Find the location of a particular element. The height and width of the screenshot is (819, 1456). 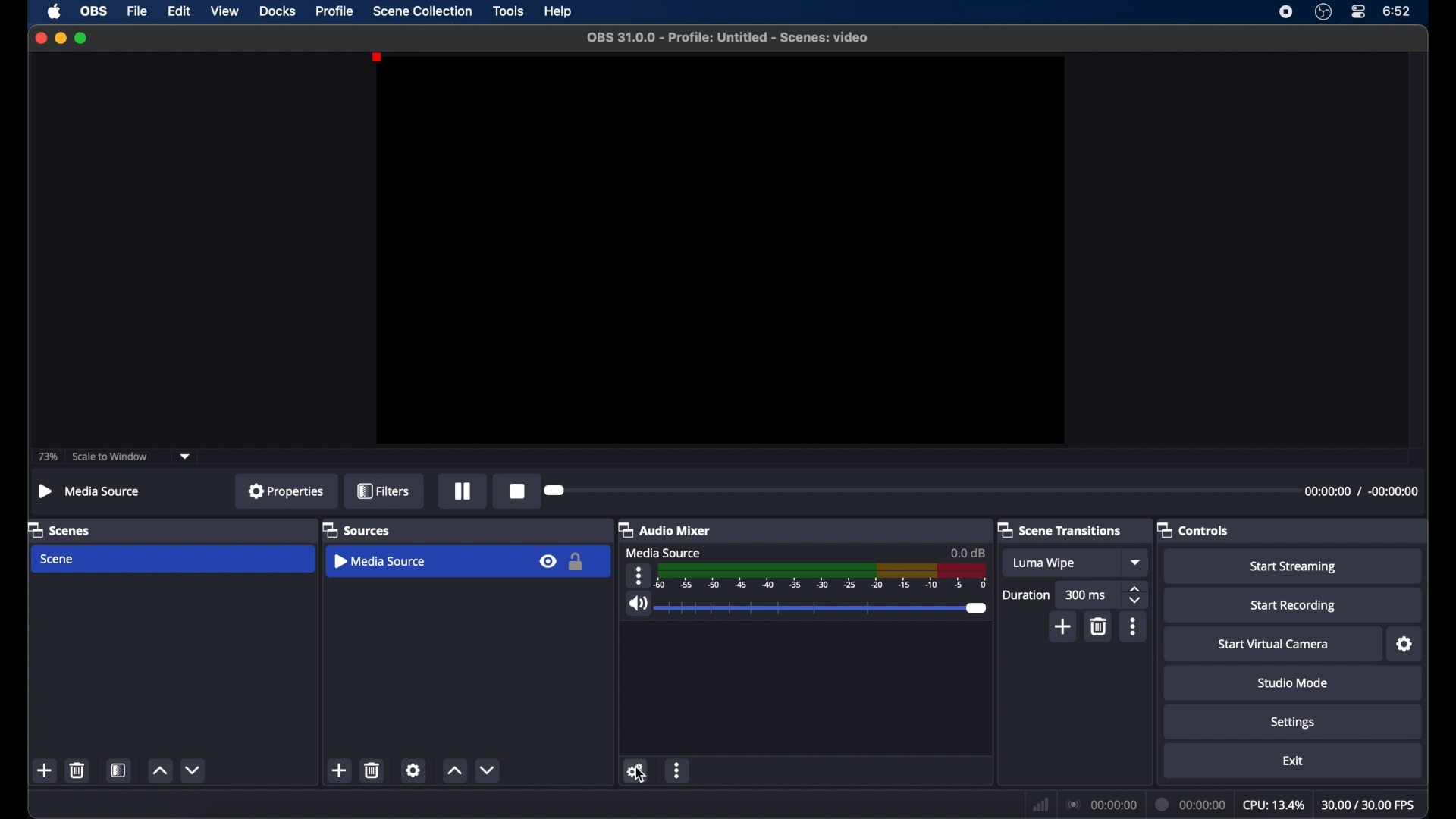

exit is located at coordinates (1293, 762).